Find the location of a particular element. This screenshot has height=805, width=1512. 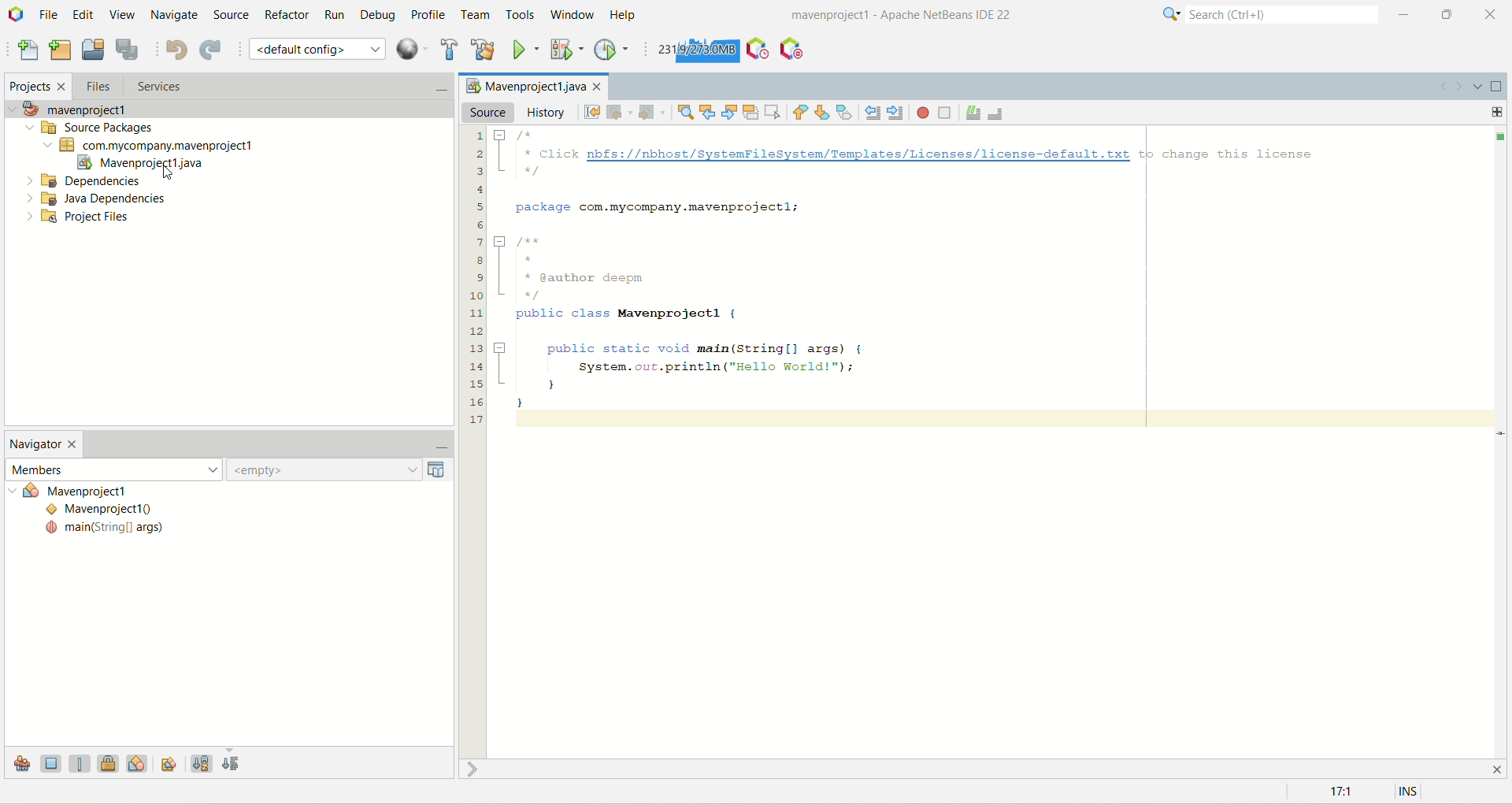

window is located at coordinates (577, 15).